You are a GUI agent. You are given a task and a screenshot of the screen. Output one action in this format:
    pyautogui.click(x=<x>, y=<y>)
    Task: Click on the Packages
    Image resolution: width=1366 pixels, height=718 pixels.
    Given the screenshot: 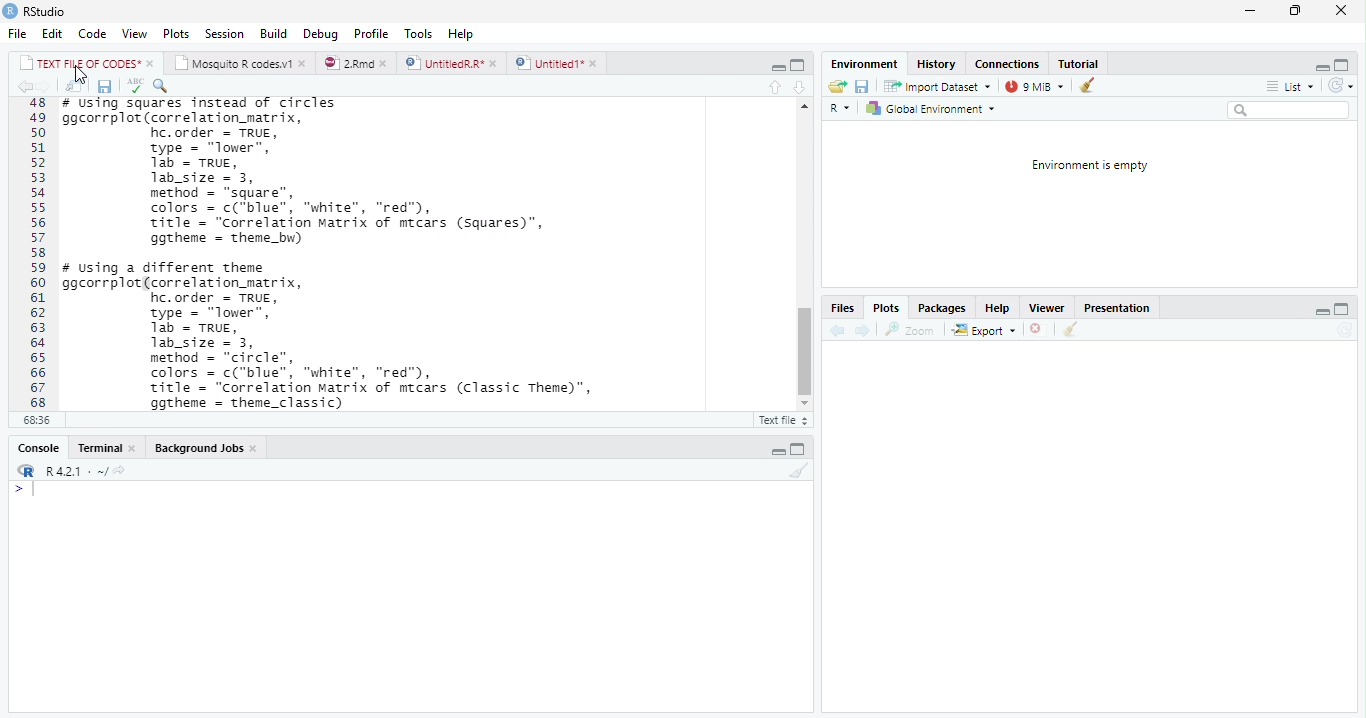 What is the action you would take?
    pyautogui.click(x=939, y=309)
    